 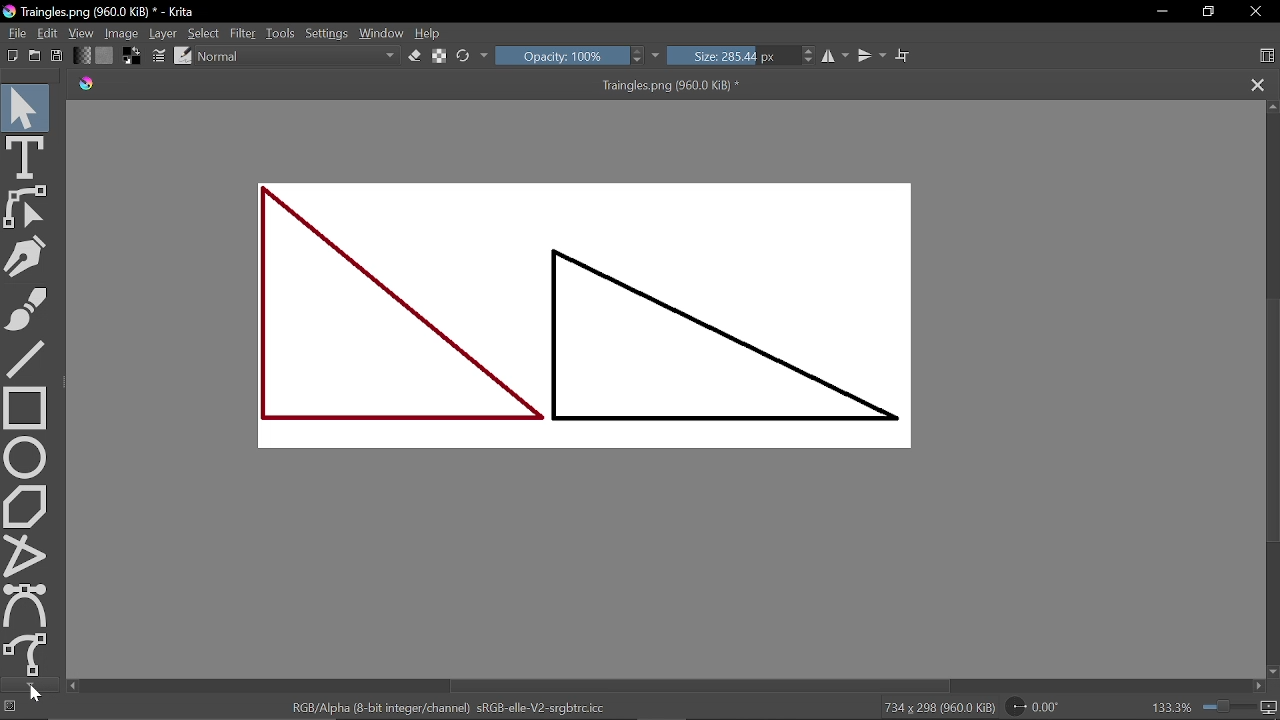 I want to click on Choose workspace, so click(x=1269, y=55).